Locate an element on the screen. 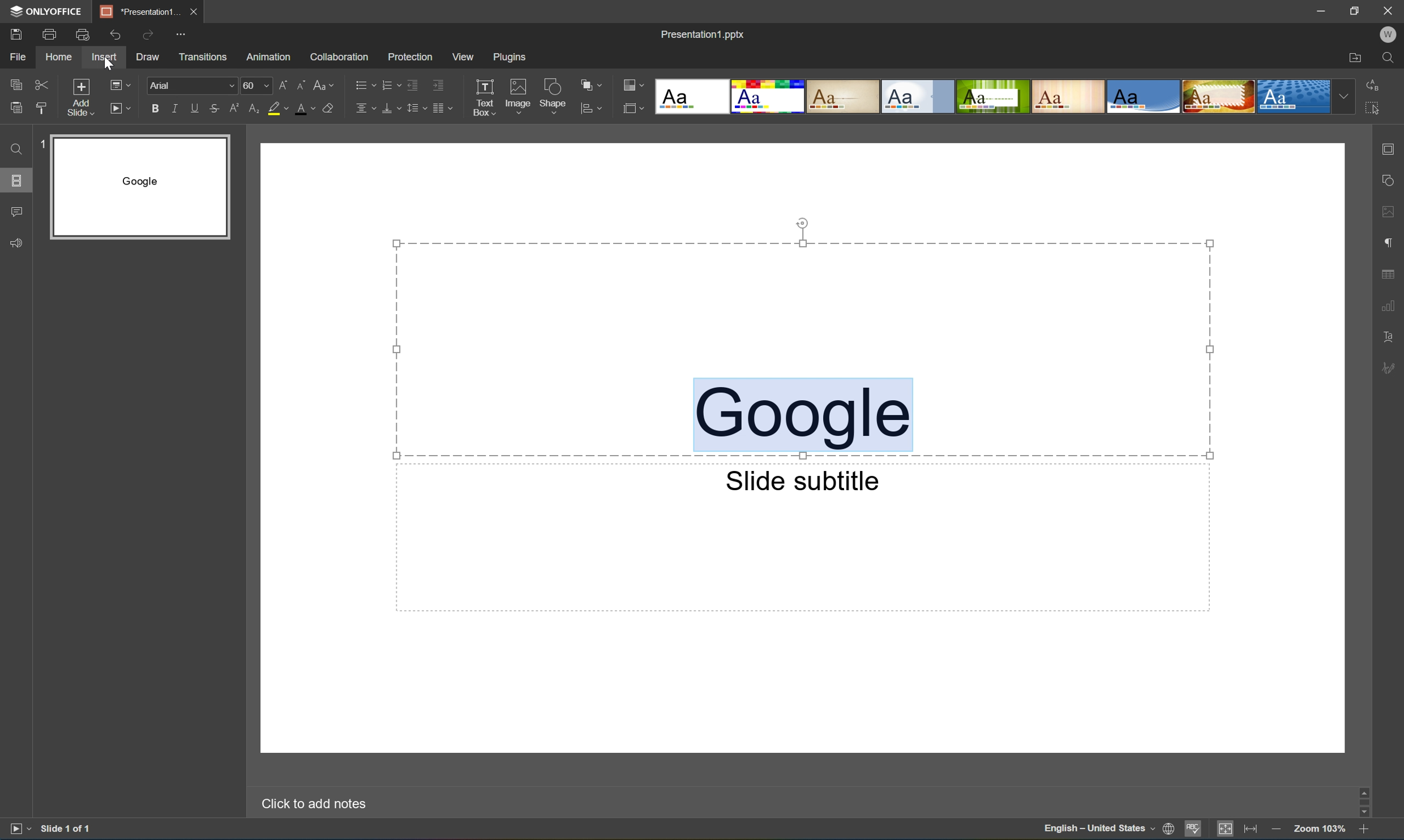 The image size is (1404, 840). Print file is located at coordinates (50, 36).